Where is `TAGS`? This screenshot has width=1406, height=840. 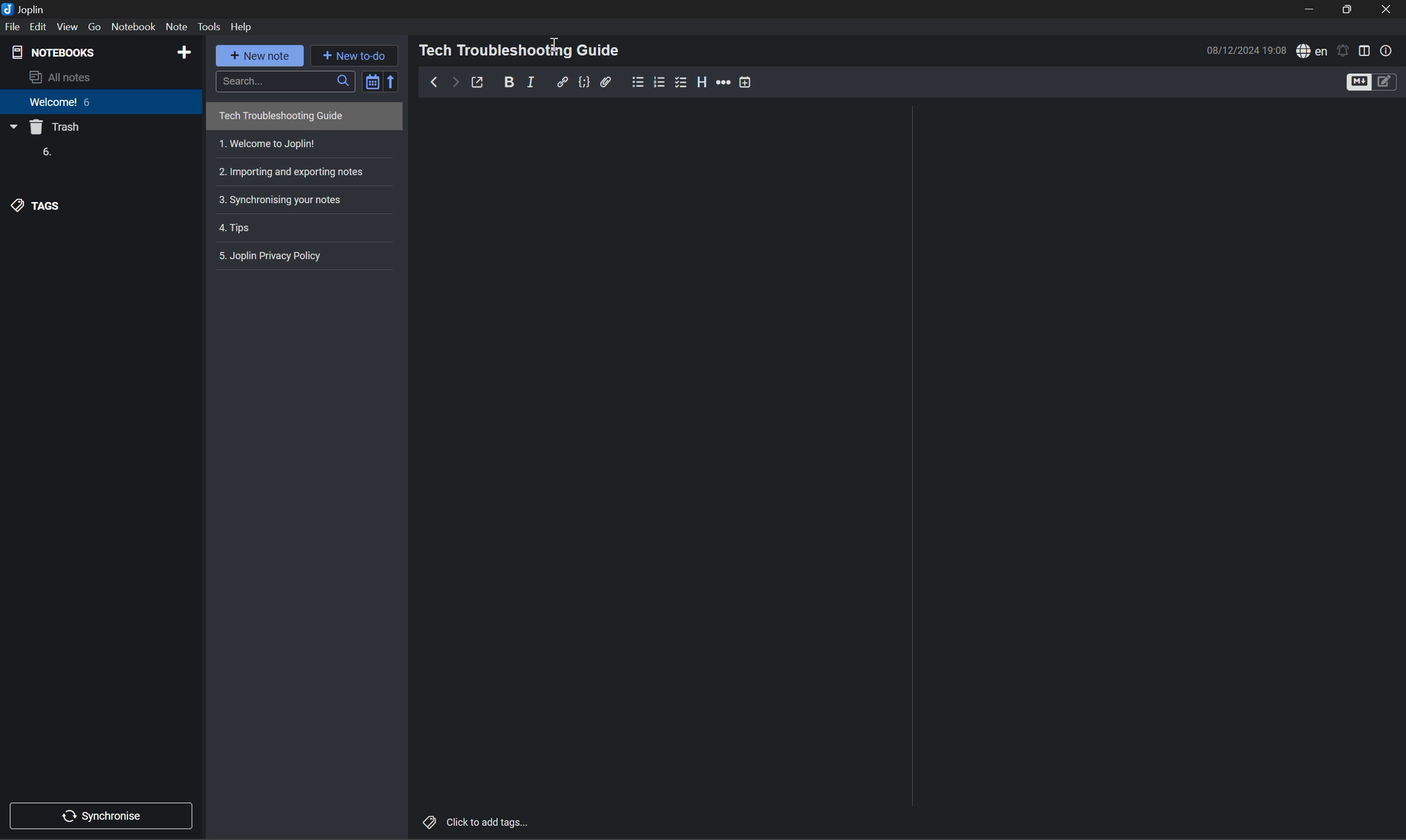 TAGS is located at coordinates (39, 205).